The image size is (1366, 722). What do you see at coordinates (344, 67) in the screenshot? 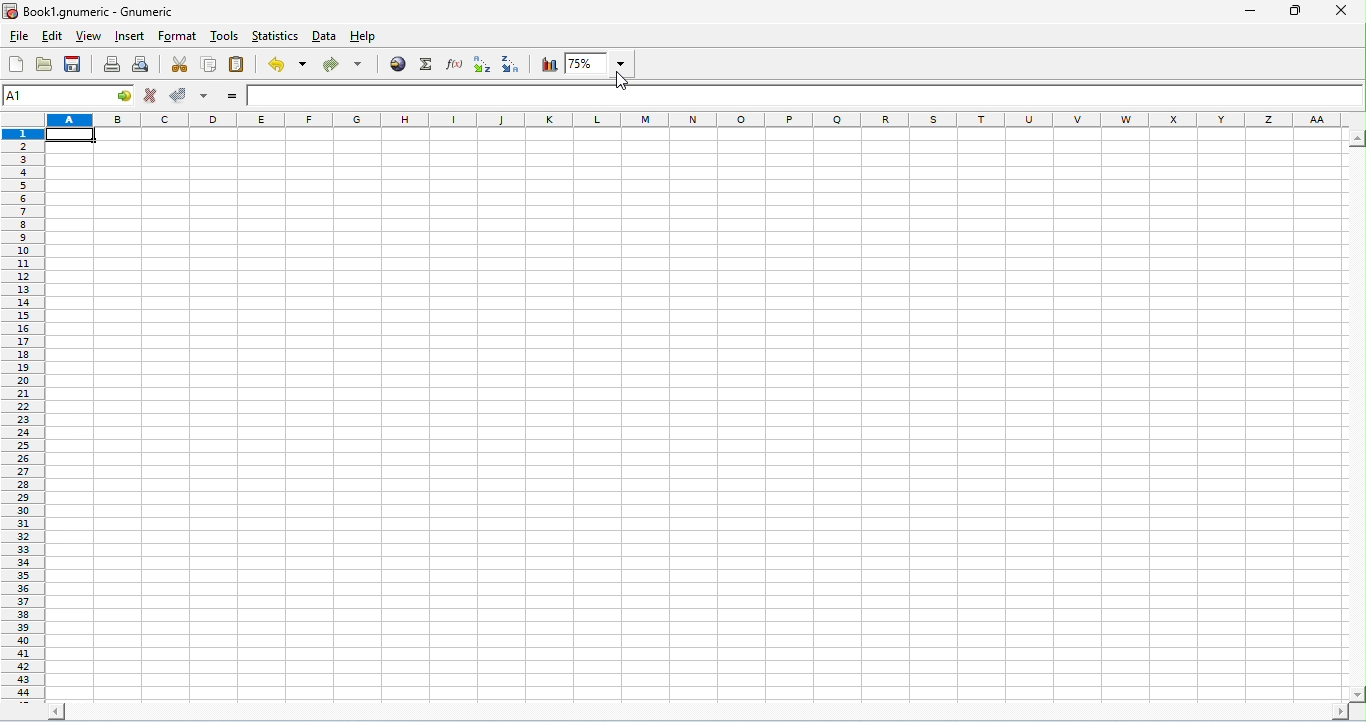
I see `redo` at bounding box center [344, 67].